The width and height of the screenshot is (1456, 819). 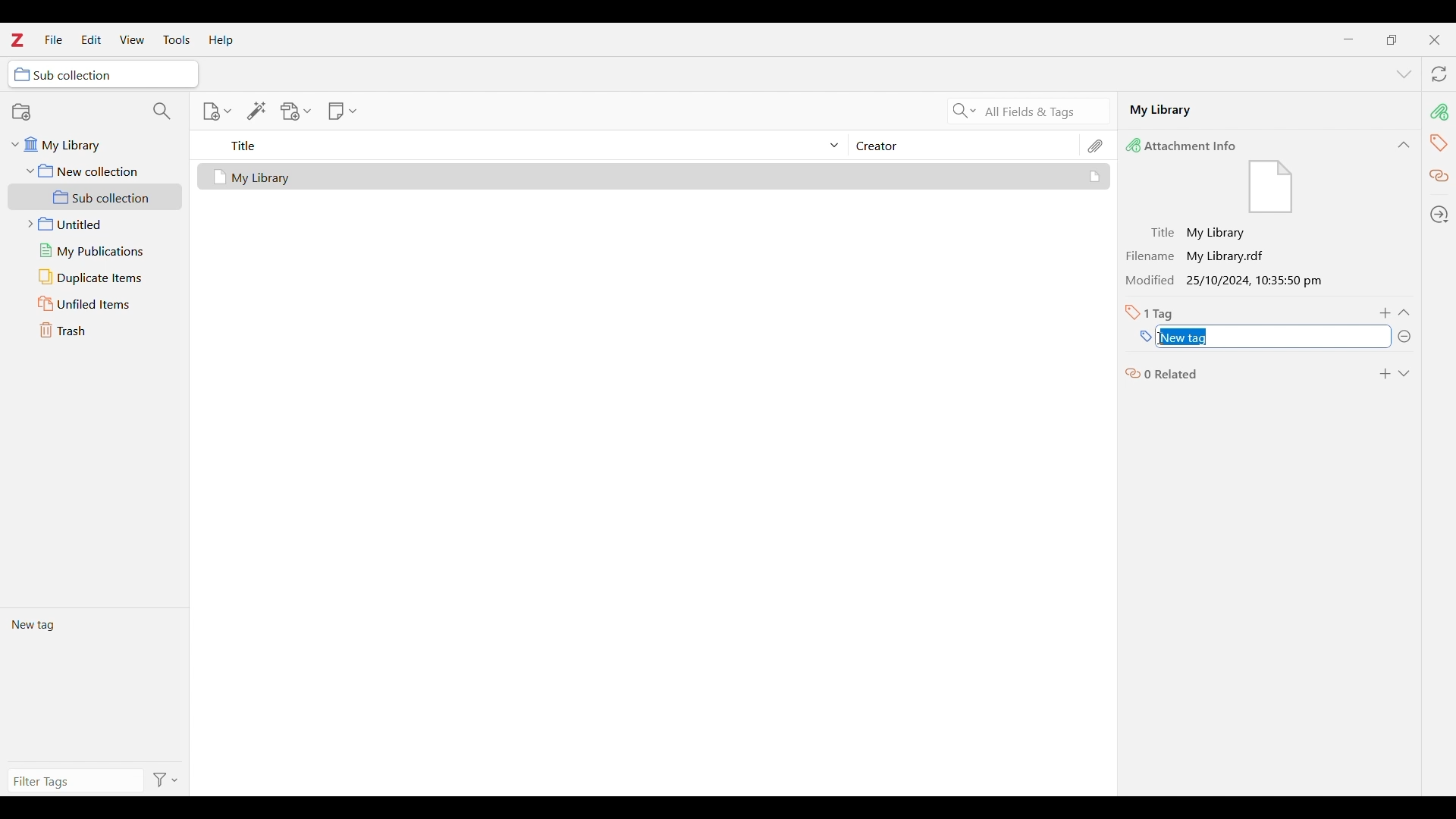 What do you see at coordinates (16, 39) in the screenshot?
I see `Software logo` at bounding box center [16, 39].